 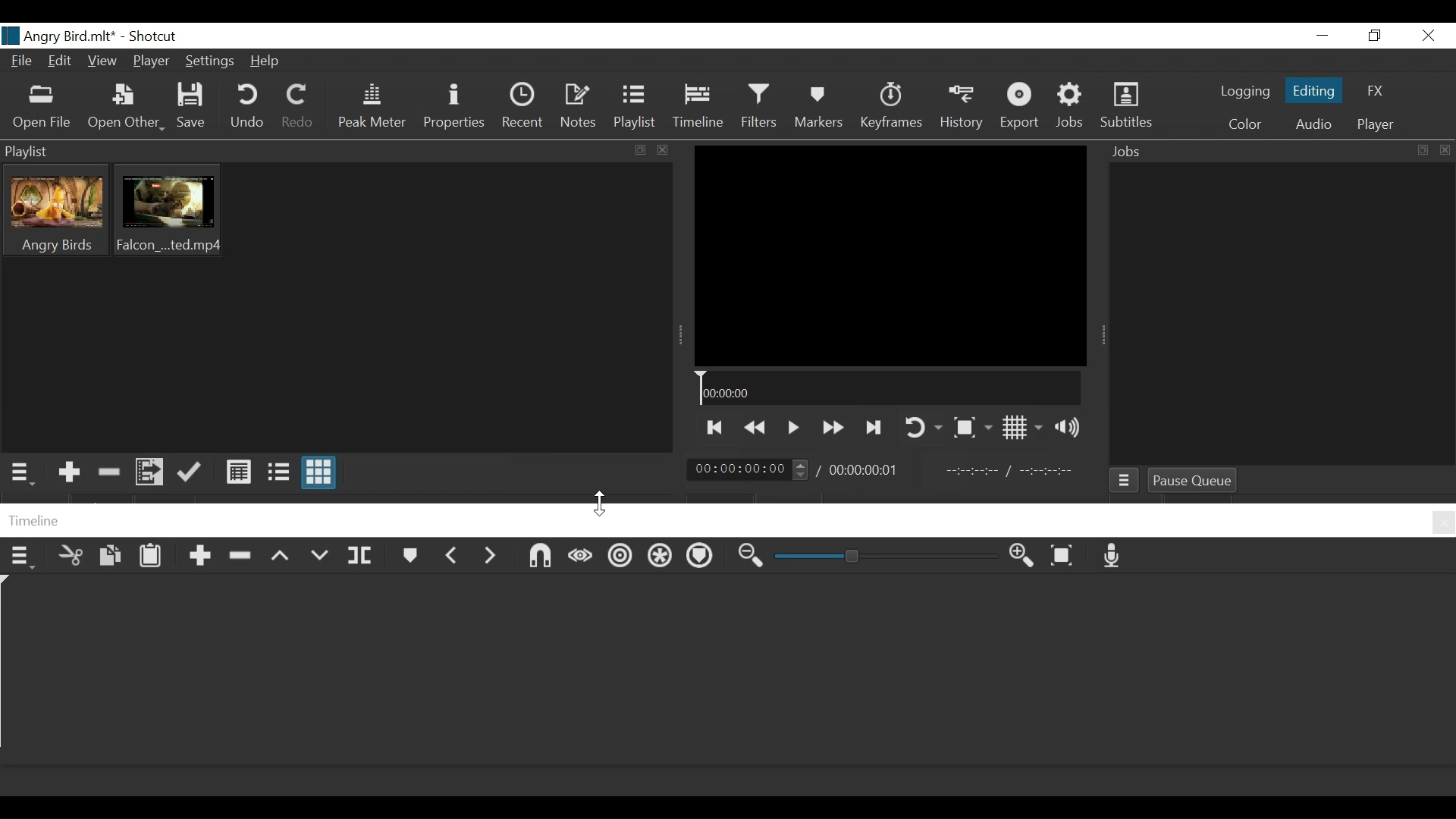 I want to click on Play quickly forward, so click(x=830, y=428).